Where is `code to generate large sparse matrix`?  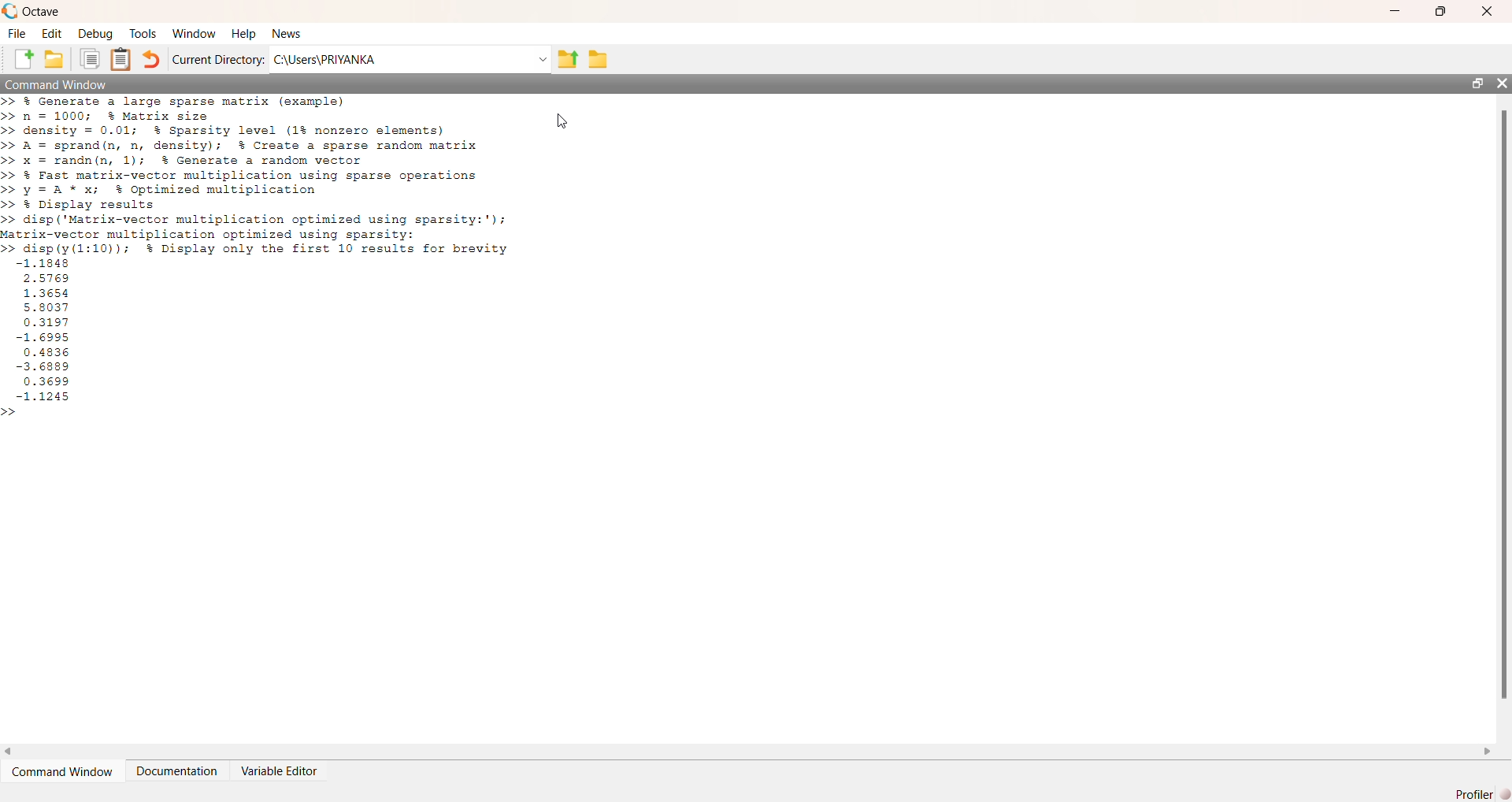 code to generate large sparse matrix is located at coordinates (250, 145).